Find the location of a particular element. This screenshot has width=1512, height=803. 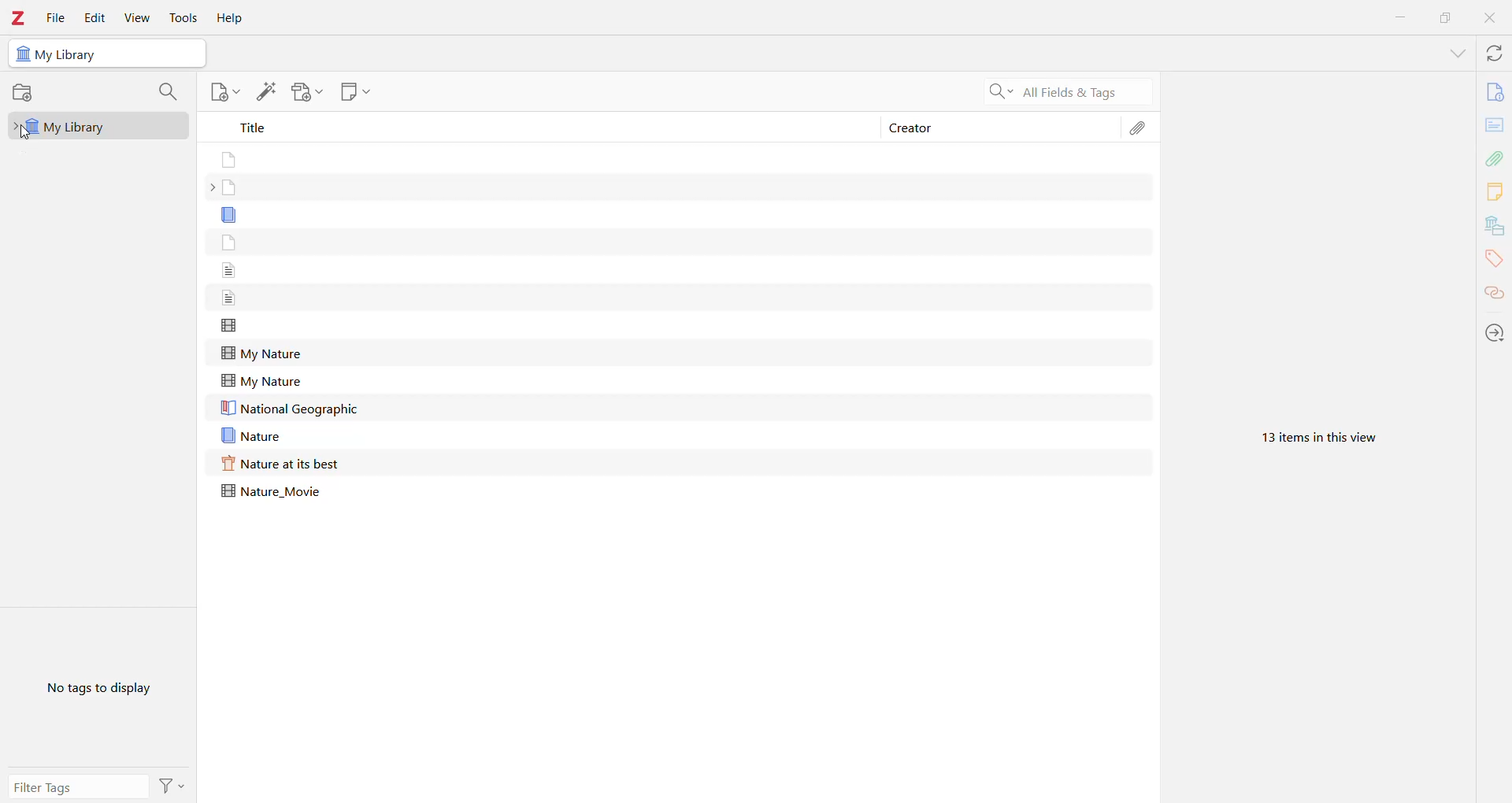

Library icon is located at coordinates (20, 55).